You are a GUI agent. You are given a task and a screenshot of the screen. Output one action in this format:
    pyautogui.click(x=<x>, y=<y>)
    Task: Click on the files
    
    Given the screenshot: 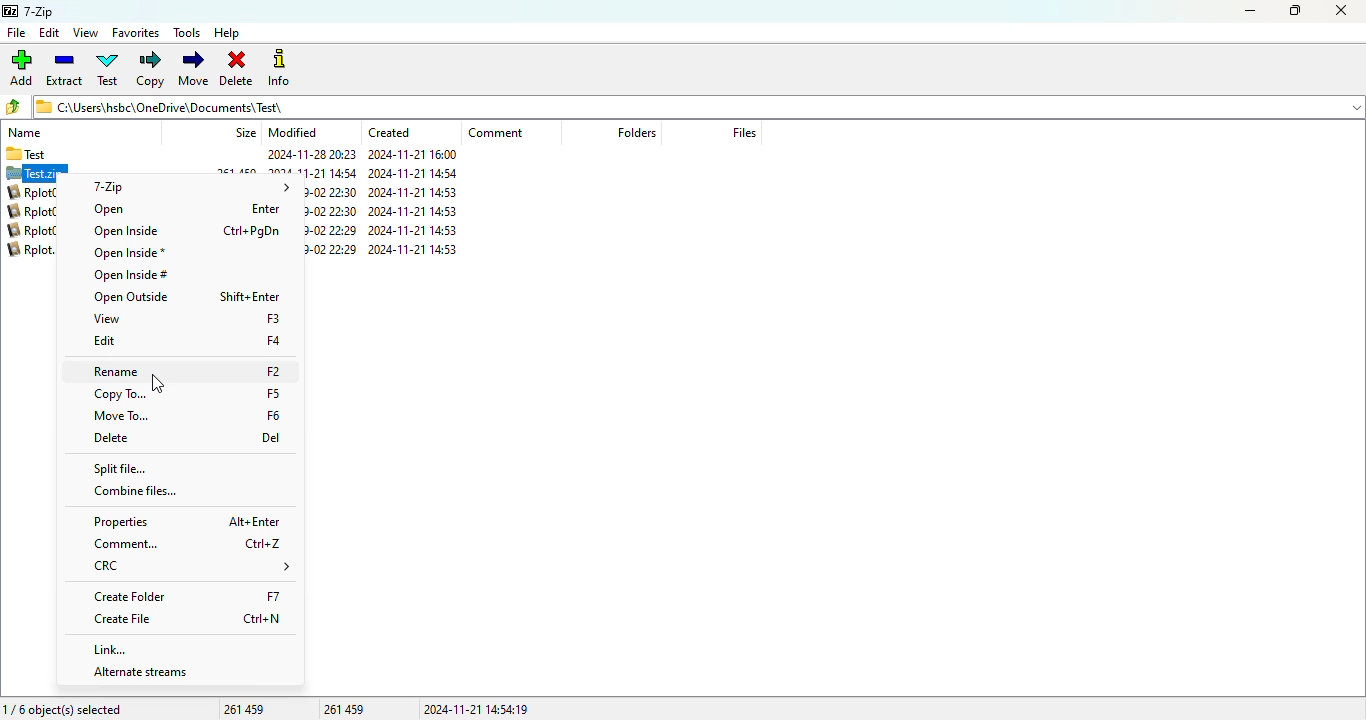 What is the action you would take?
    pyautogui.click(x=744, y=132)
    